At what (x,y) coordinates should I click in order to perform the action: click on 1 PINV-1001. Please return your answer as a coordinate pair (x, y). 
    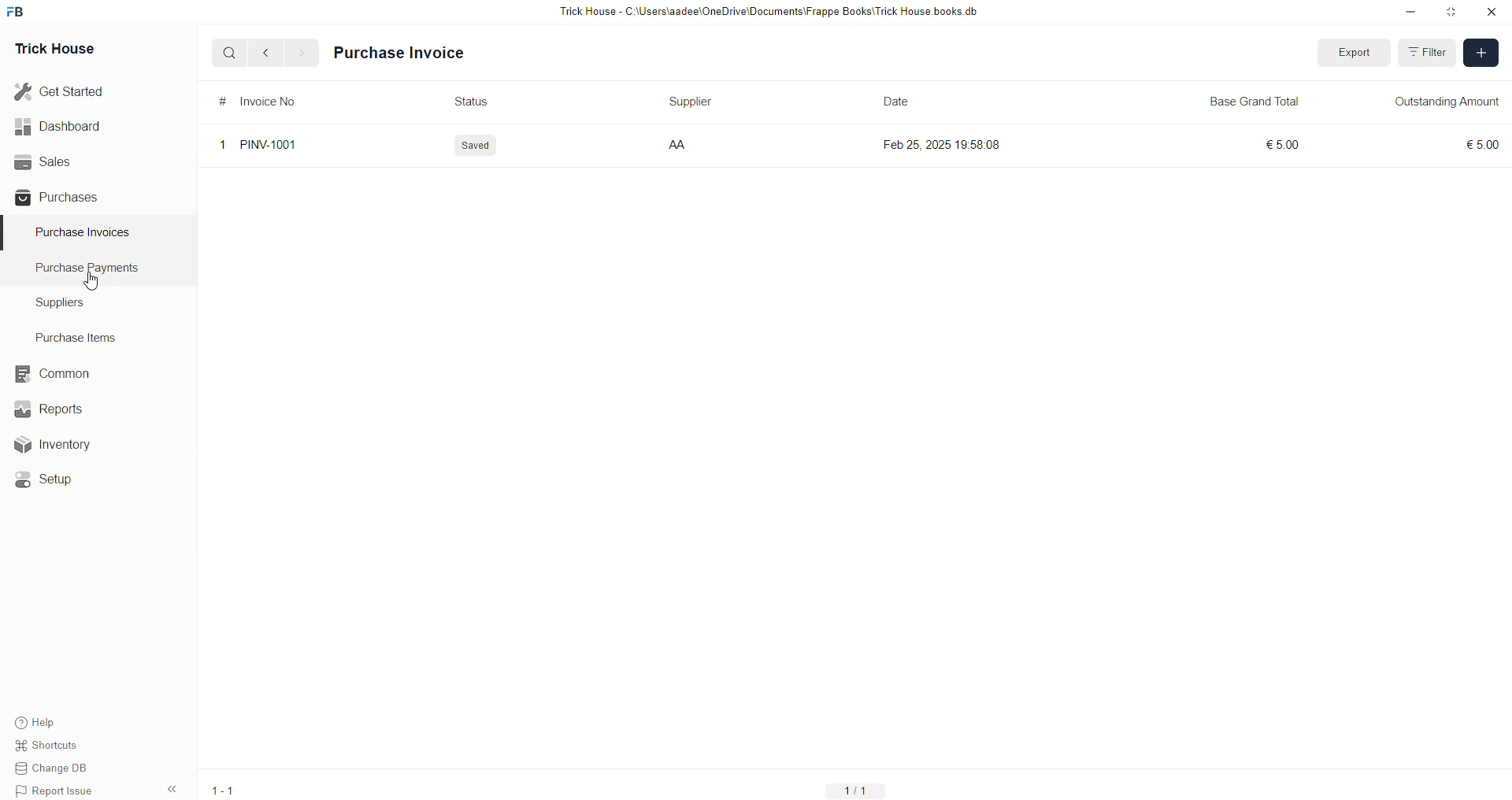
    Looking at the image, I should click on (254, 145).